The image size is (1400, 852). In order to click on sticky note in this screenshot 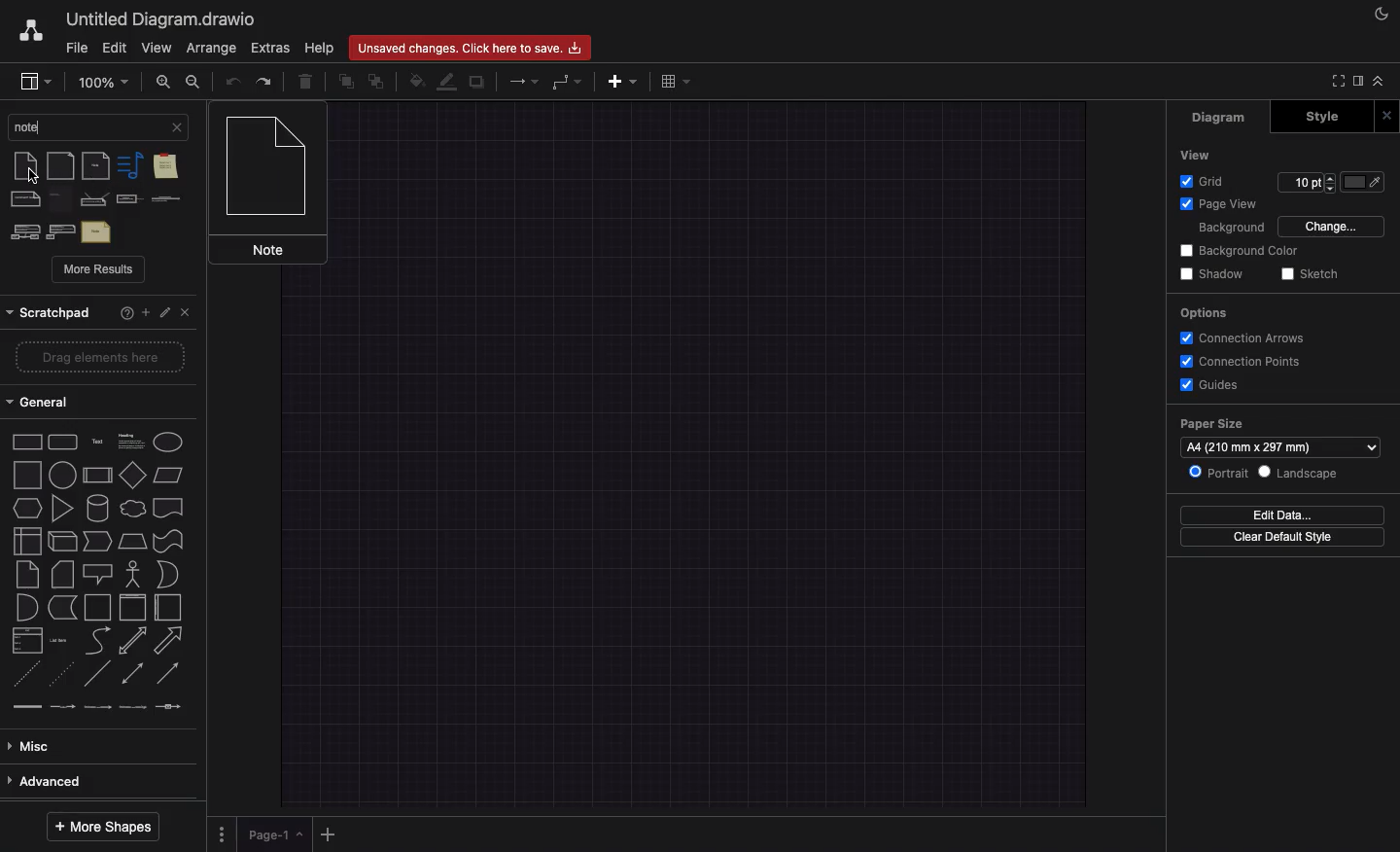, I will do `click(164, 168)`.